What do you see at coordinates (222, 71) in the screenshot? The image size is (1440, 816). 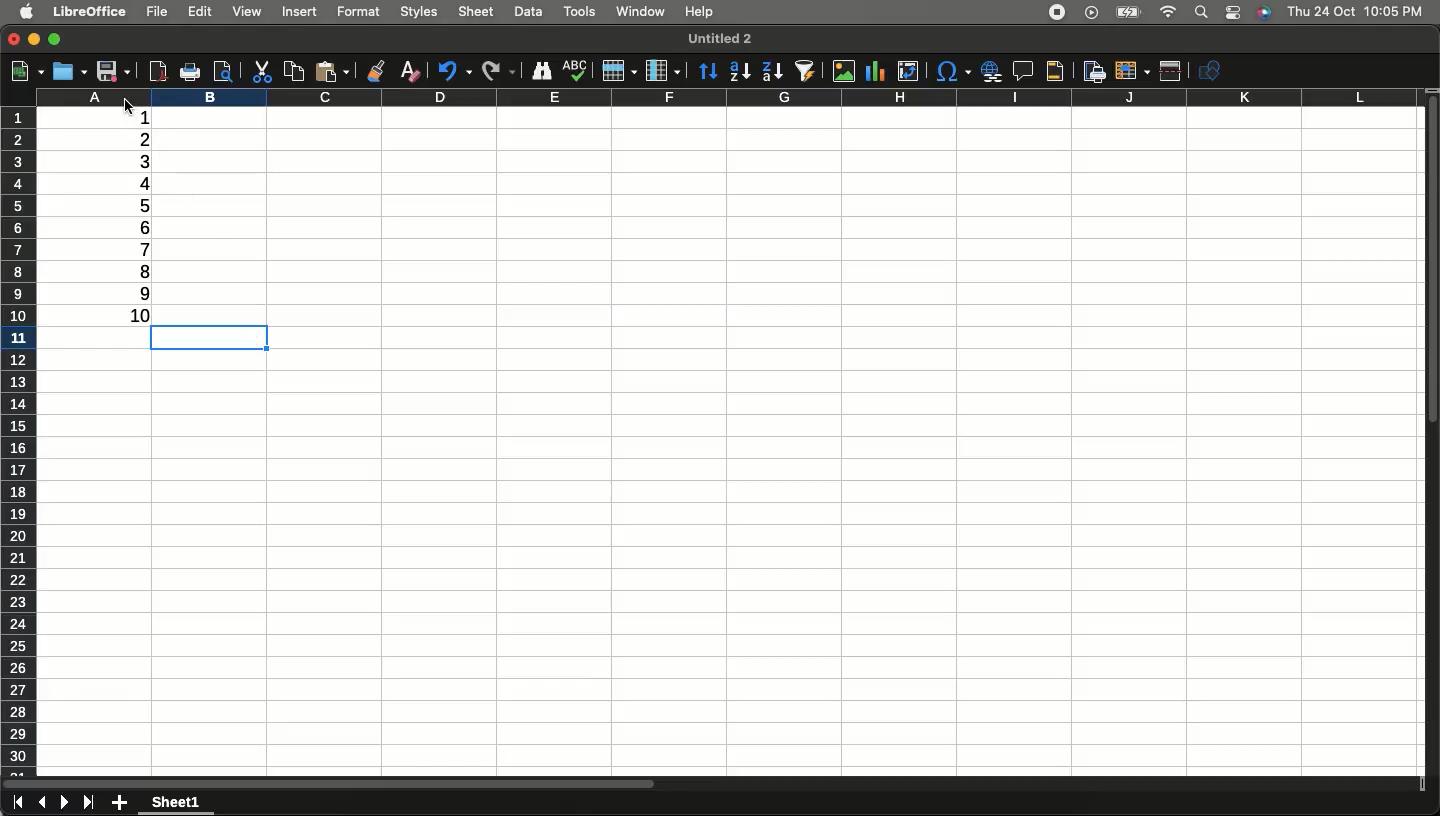 I see `Toggle preview` at bounding box center [222, 71].